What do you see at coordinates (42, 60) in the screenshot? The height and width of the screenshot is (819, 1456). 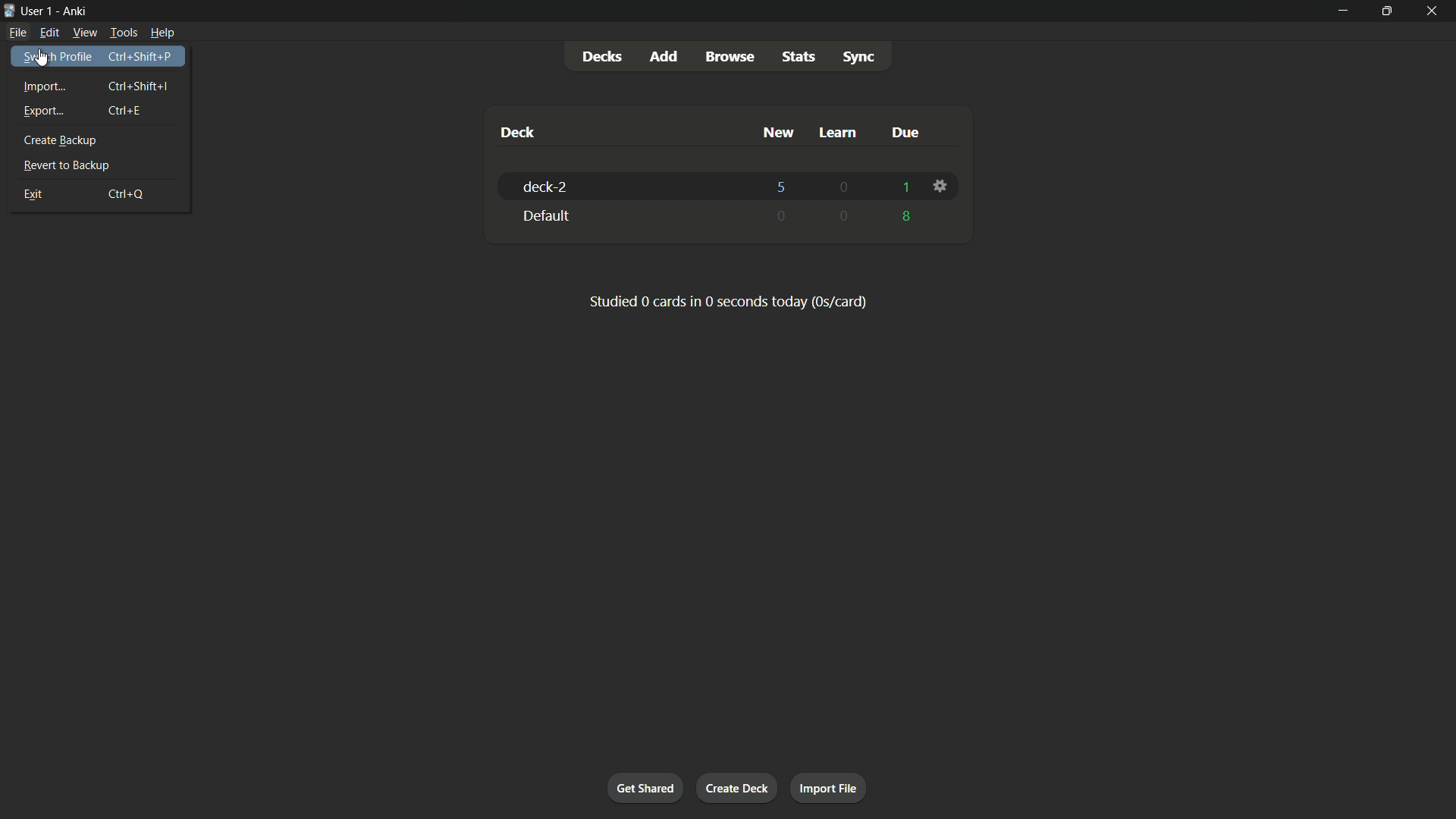 I see `cursor` at bounding box center [42, 60].